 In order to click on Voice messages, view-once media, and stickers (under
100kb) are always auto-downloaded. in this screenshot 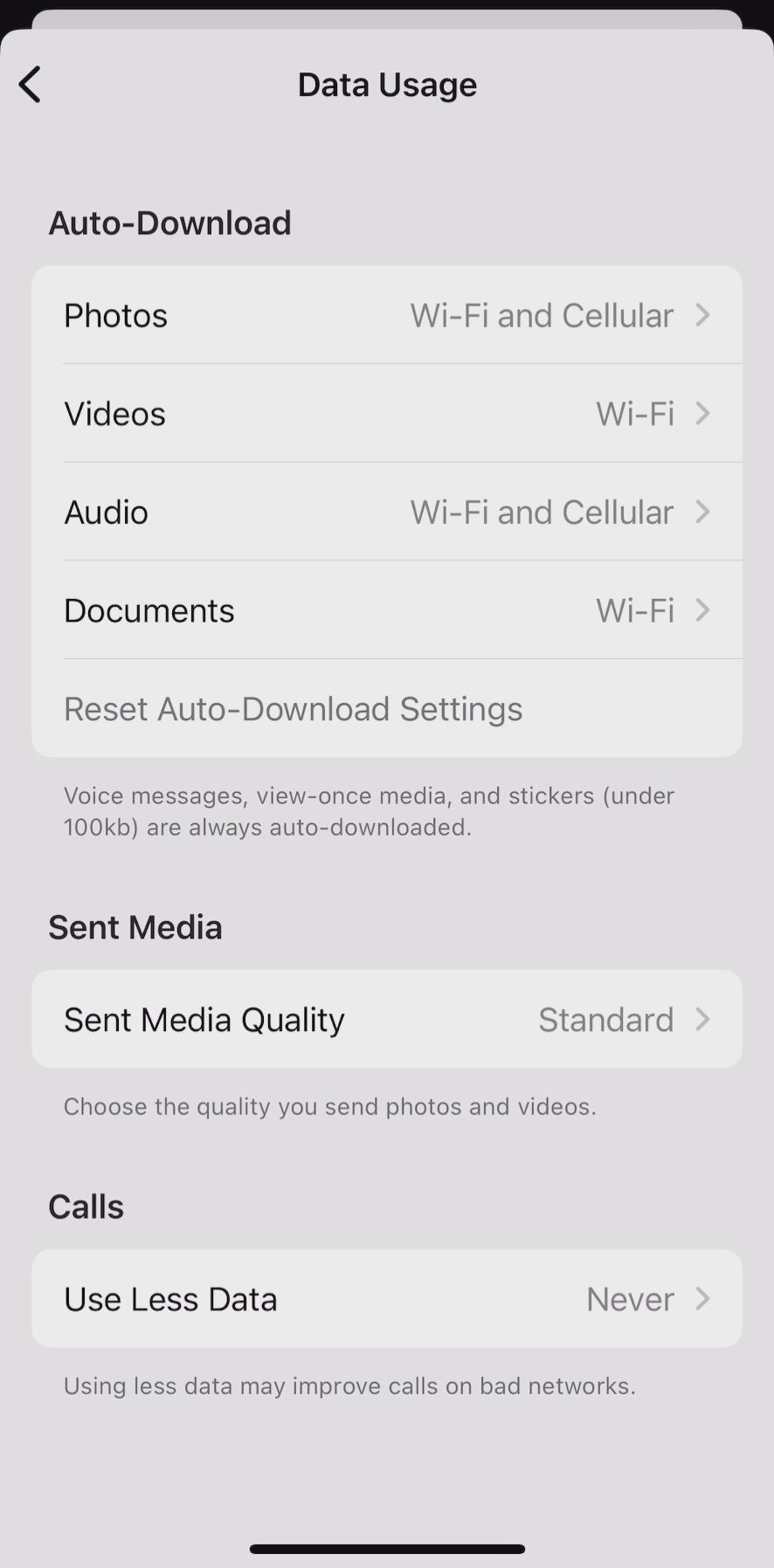, I will do `click(397, 816)`.